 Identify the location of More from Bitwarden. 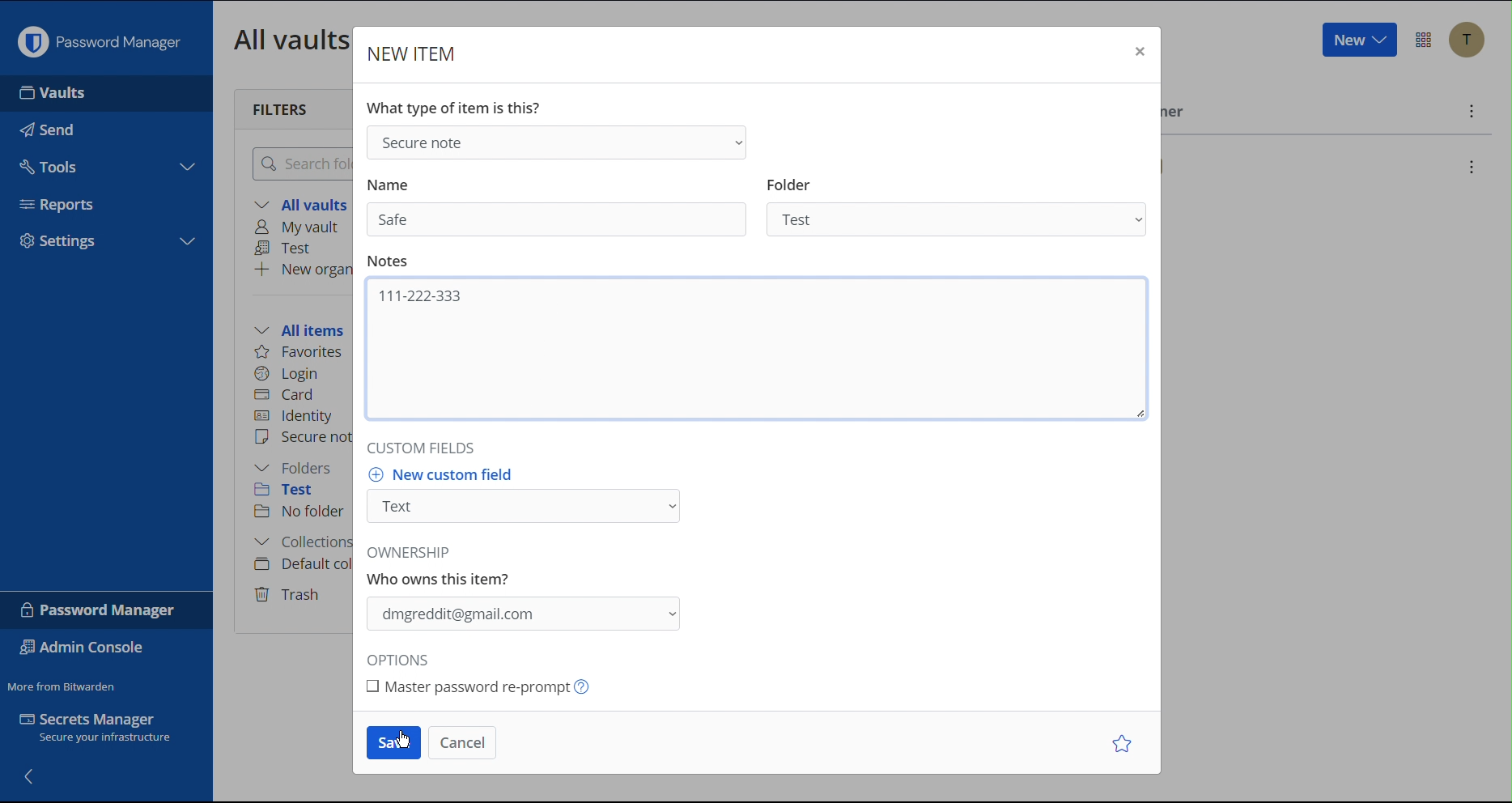
(64, 683).